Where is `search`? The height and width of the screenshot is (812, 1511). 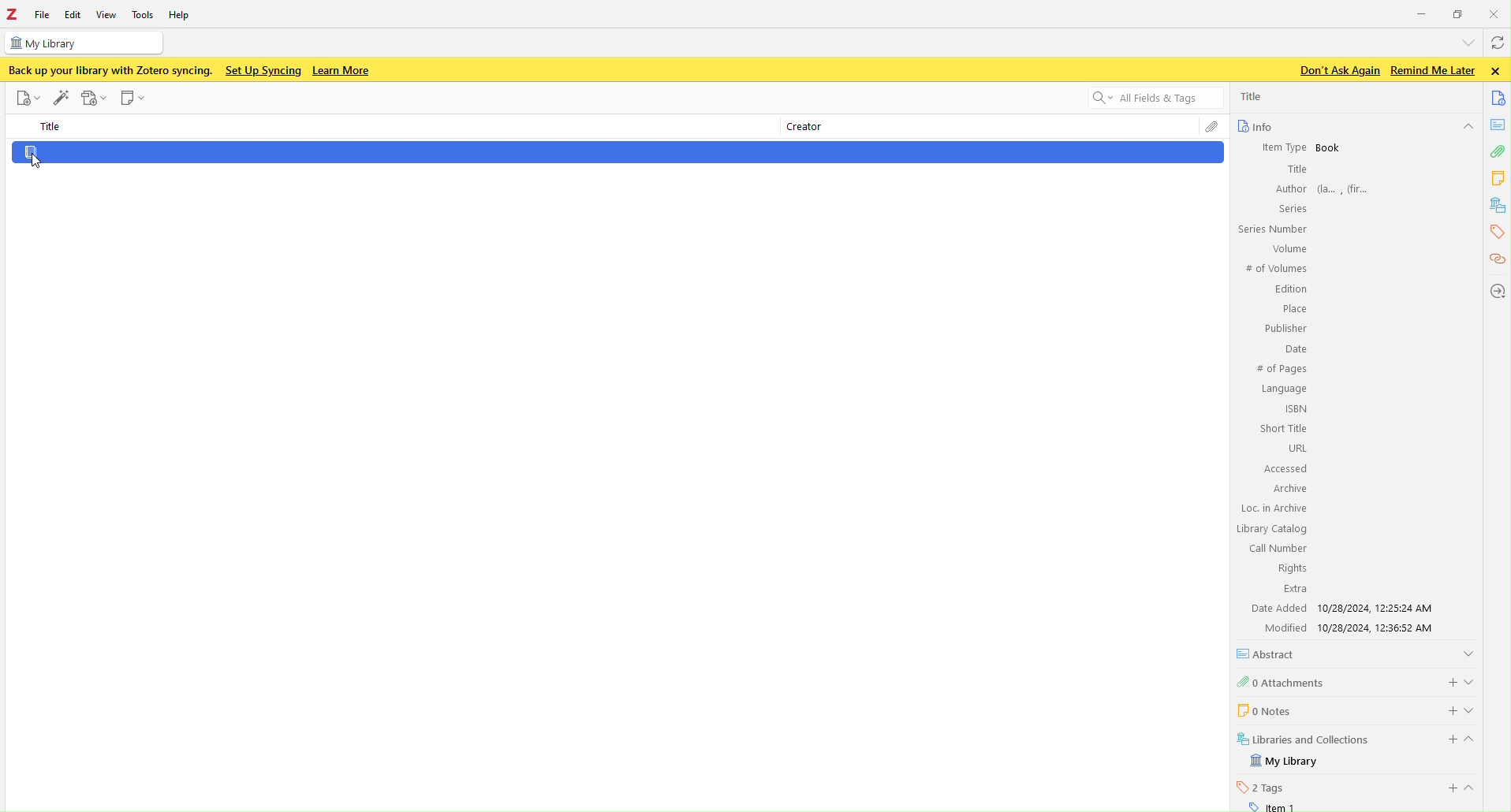
search is located at coordinates (1156, 98).